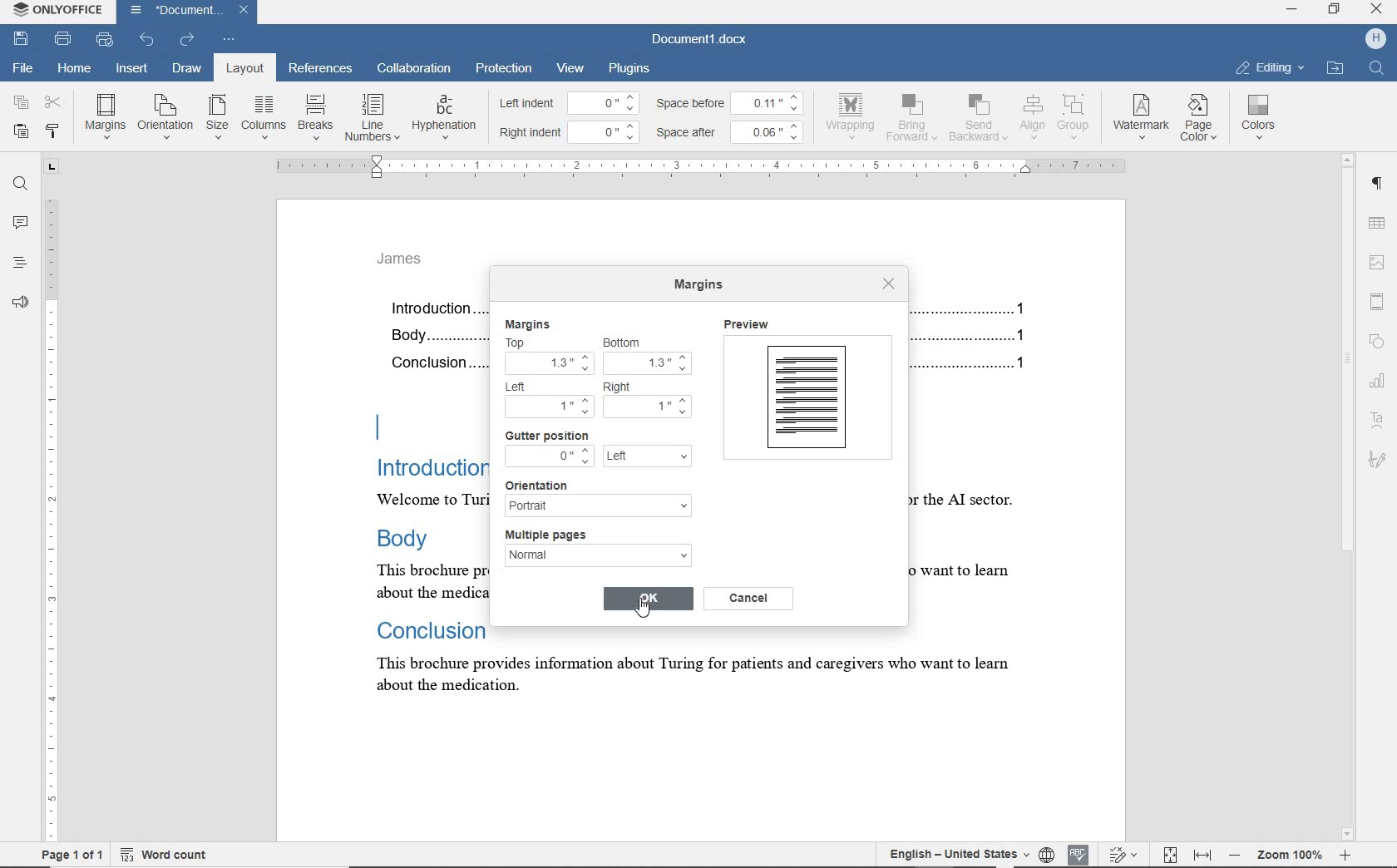 This screenshot has height=868, width=1397. Describe the element at coordinates (527, 324) in the screenshot. I see `margins` at that location.